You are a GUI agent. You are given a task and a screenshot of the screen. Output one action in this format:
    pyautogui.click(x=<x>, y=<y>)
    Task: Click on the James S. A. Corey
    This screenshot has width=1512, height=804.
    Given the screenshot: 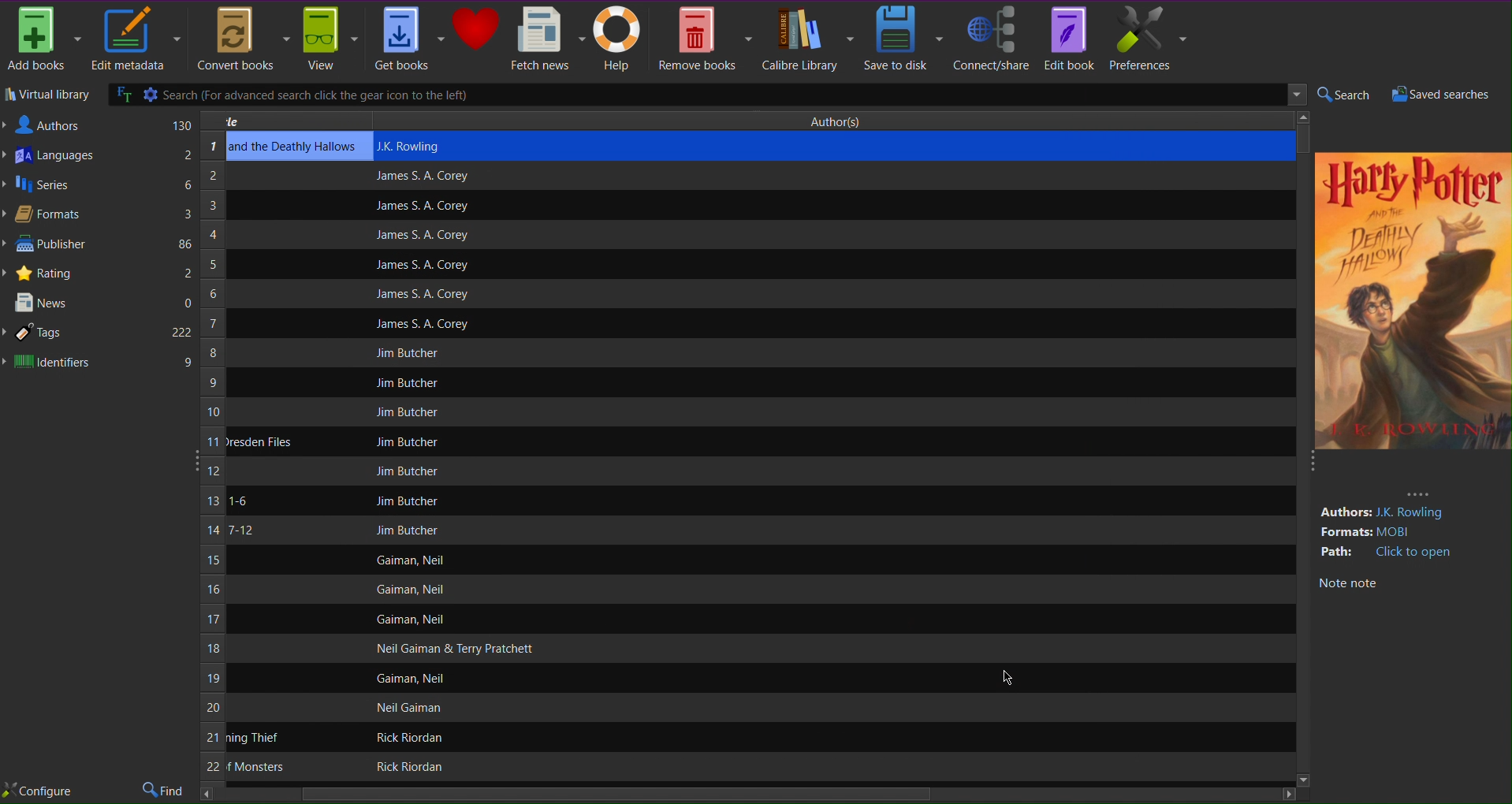 What is the action you would take?
    pyautogui.click(x=420, y=207)
    